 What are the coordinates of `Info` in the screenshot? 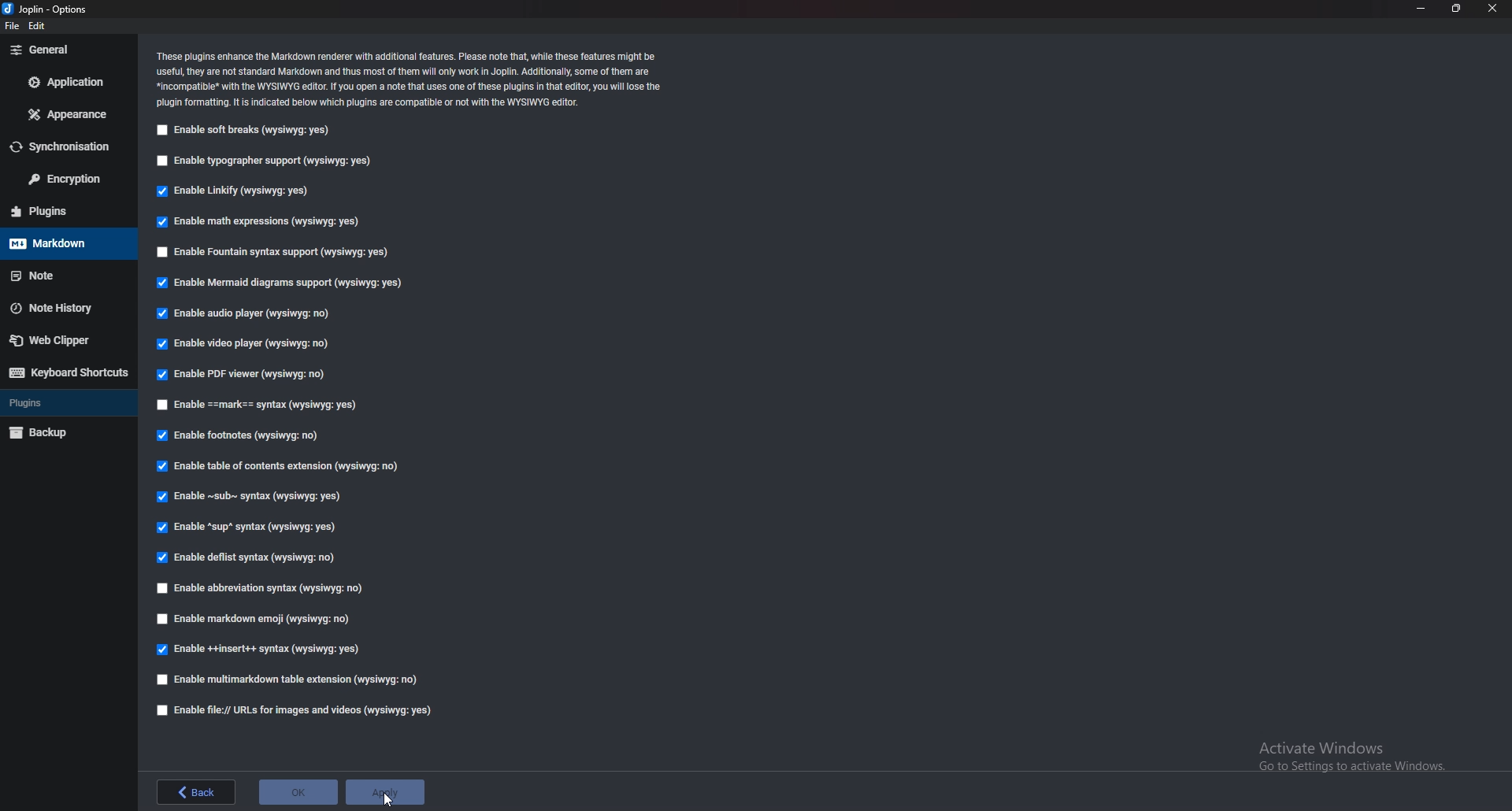 It's located at (413, 79).